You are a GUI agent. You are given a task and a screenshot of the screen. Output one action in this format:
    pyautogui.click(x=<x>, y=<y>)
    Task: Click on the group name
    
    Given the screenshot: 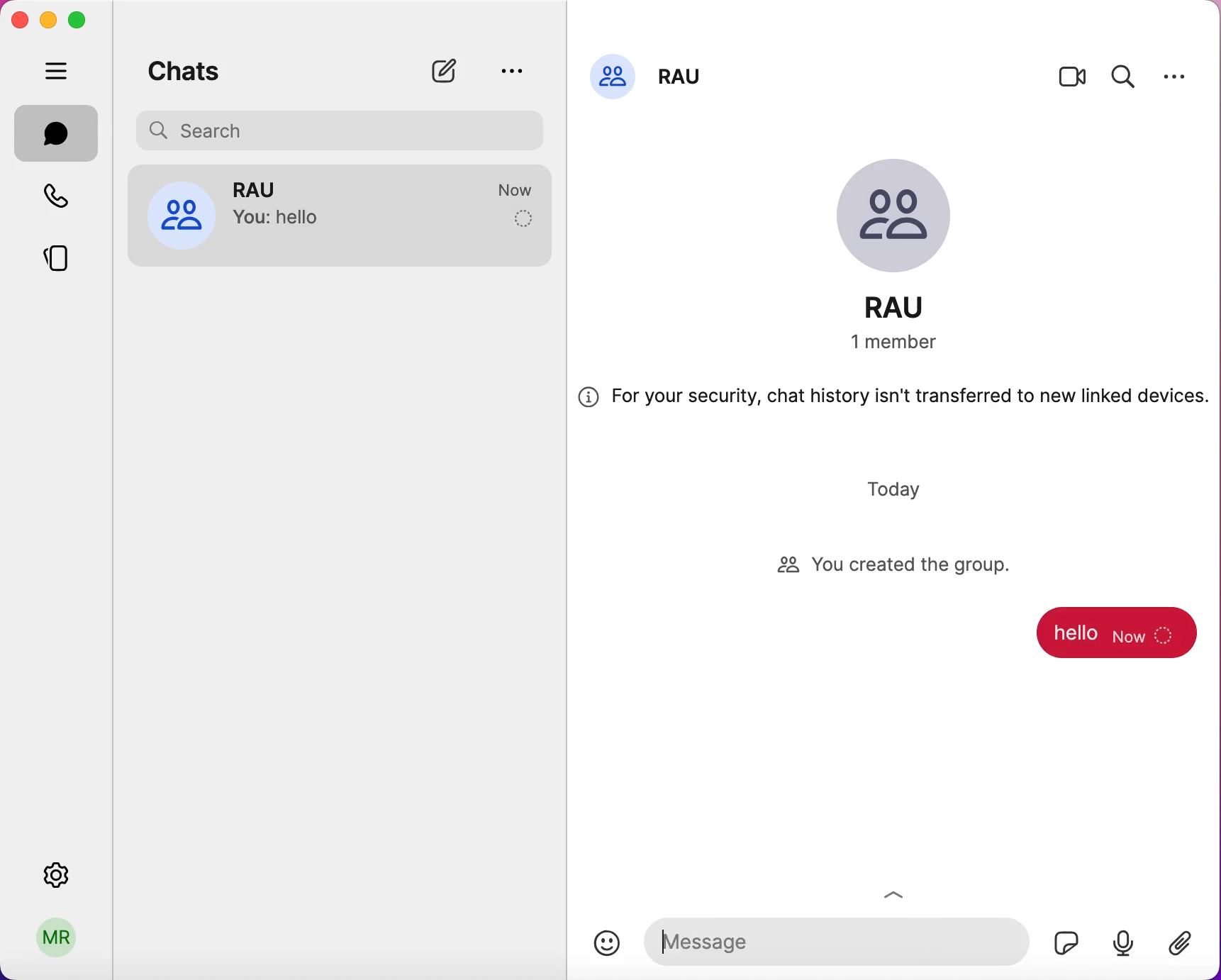 What is the action you would take?
    pyautogui.click(x=910, y=307)
    